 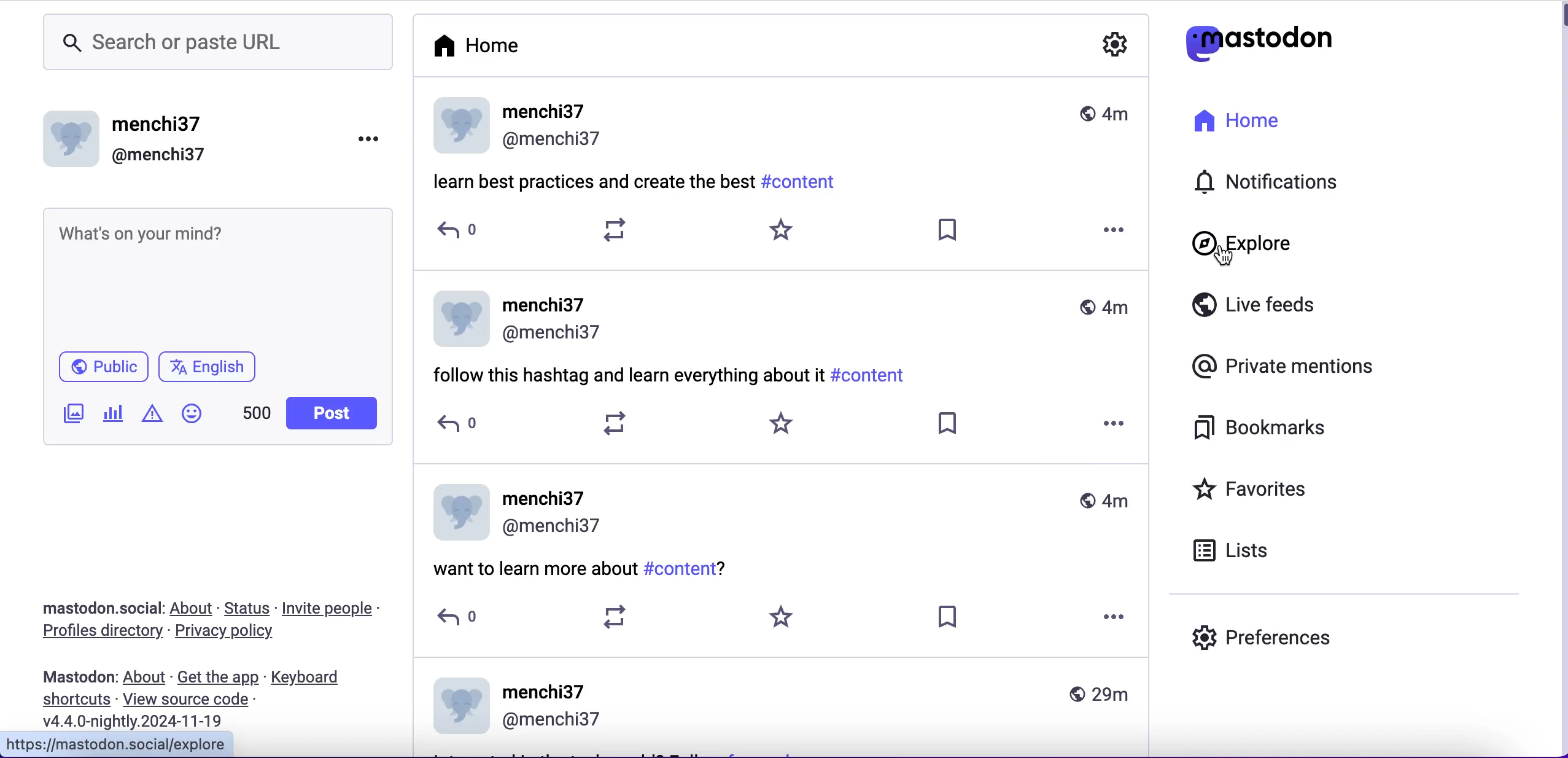 What do you see at coordinates (778, 232) in the screenshot?
I see `favorite` at bounding box center [778, 232].